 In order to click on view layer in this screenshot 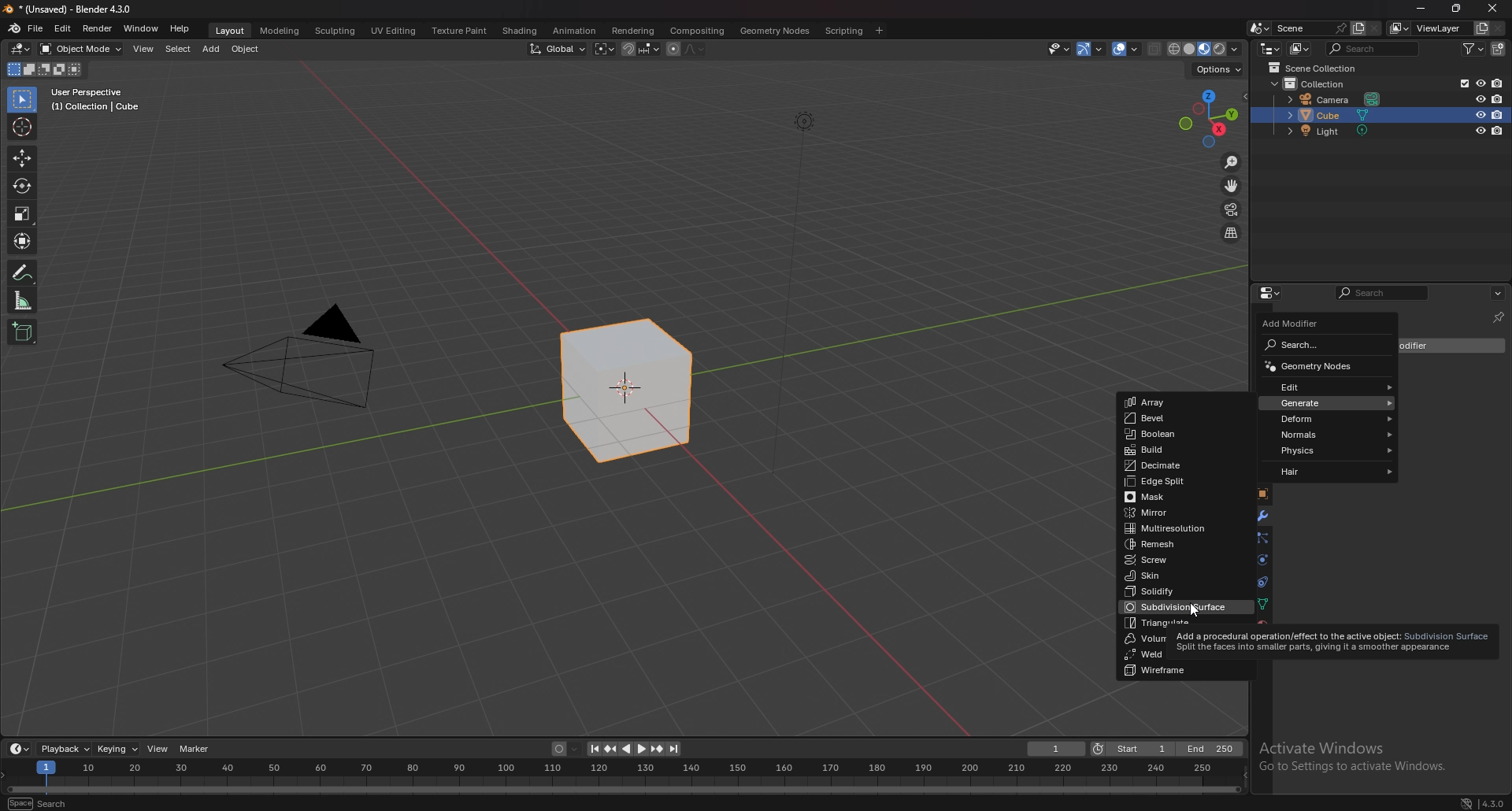, I will do `click(1428, 28)`.